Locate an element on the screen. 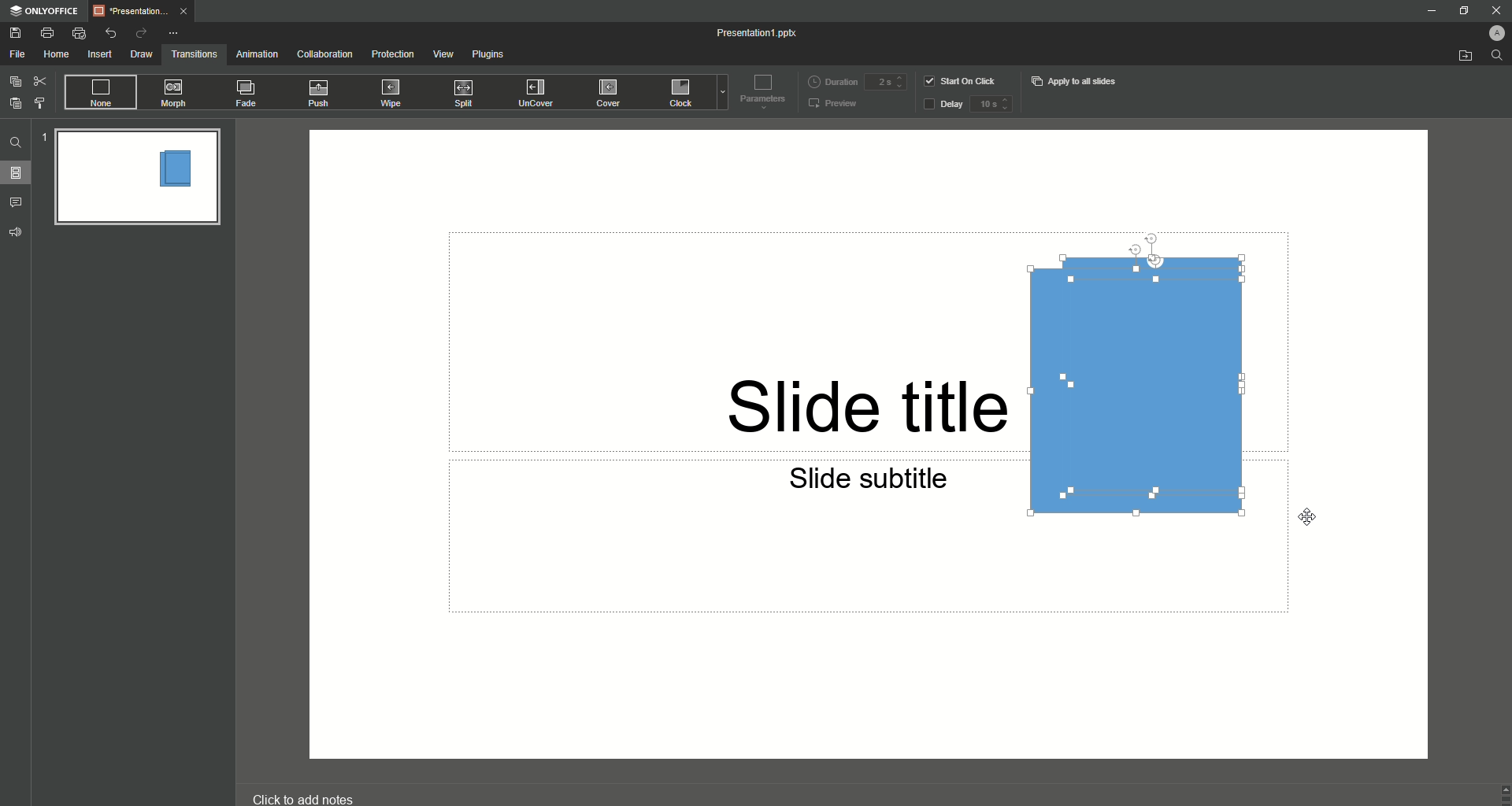 The image size is (1512, 806). Click is located at coordinates (683, 95).